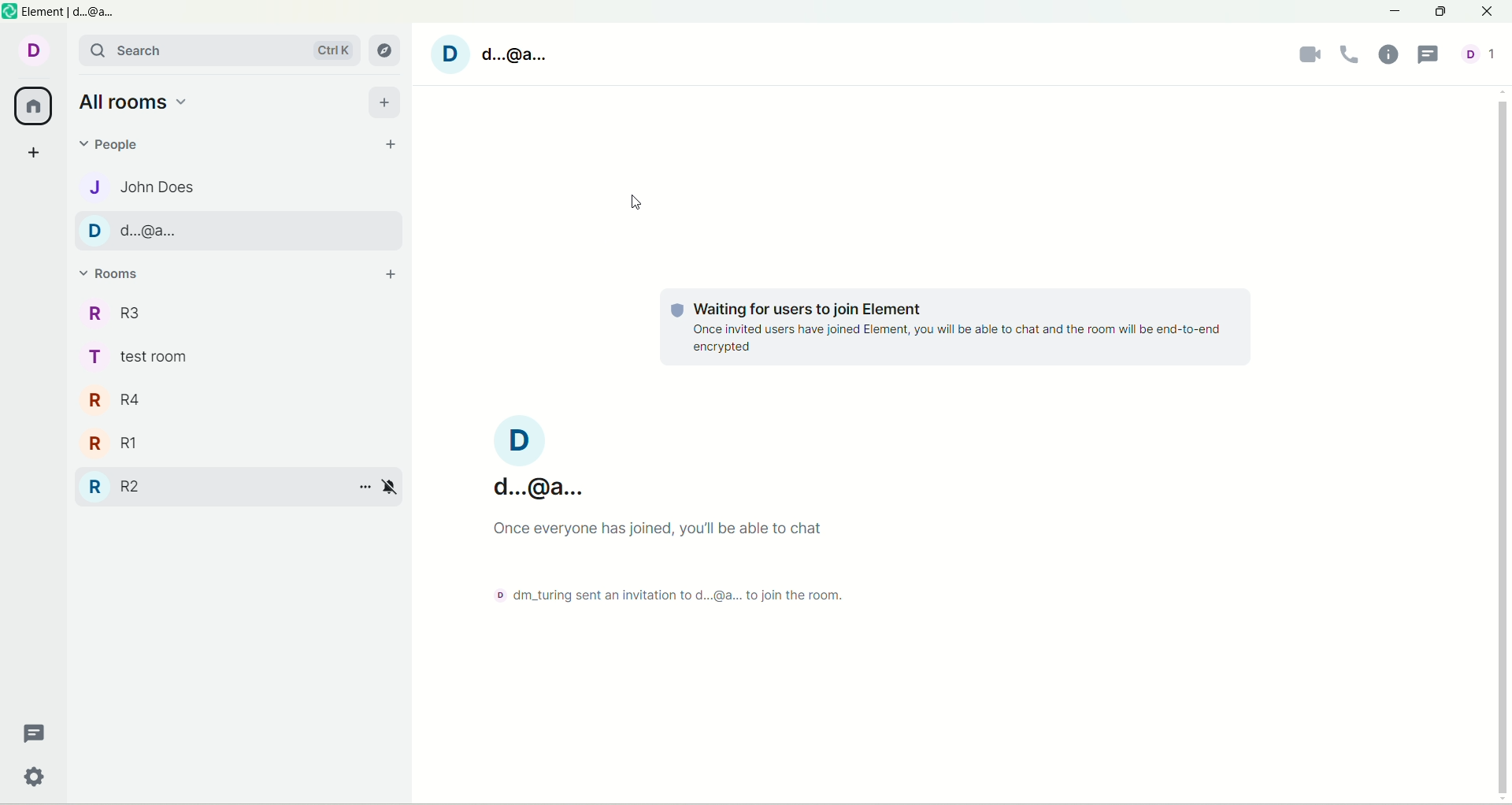 This screenshot has width=1512, height=805. What do you see at coordinates (35, 104) in the screenshot?
I see `all rooms` at bounding box center [35, 104].